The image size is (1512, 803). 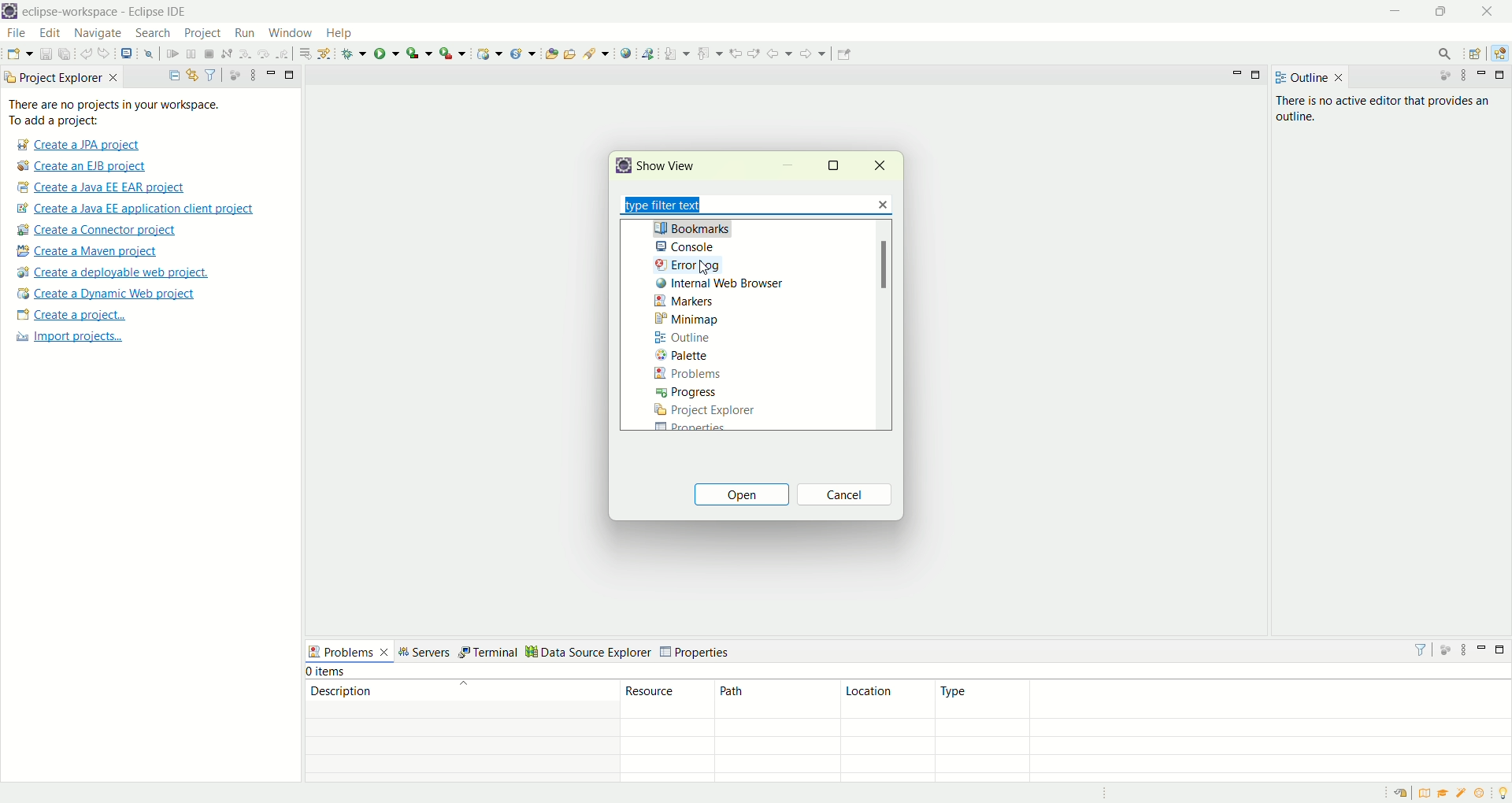 I want to click on java EE, so click(x=1499, y=50).